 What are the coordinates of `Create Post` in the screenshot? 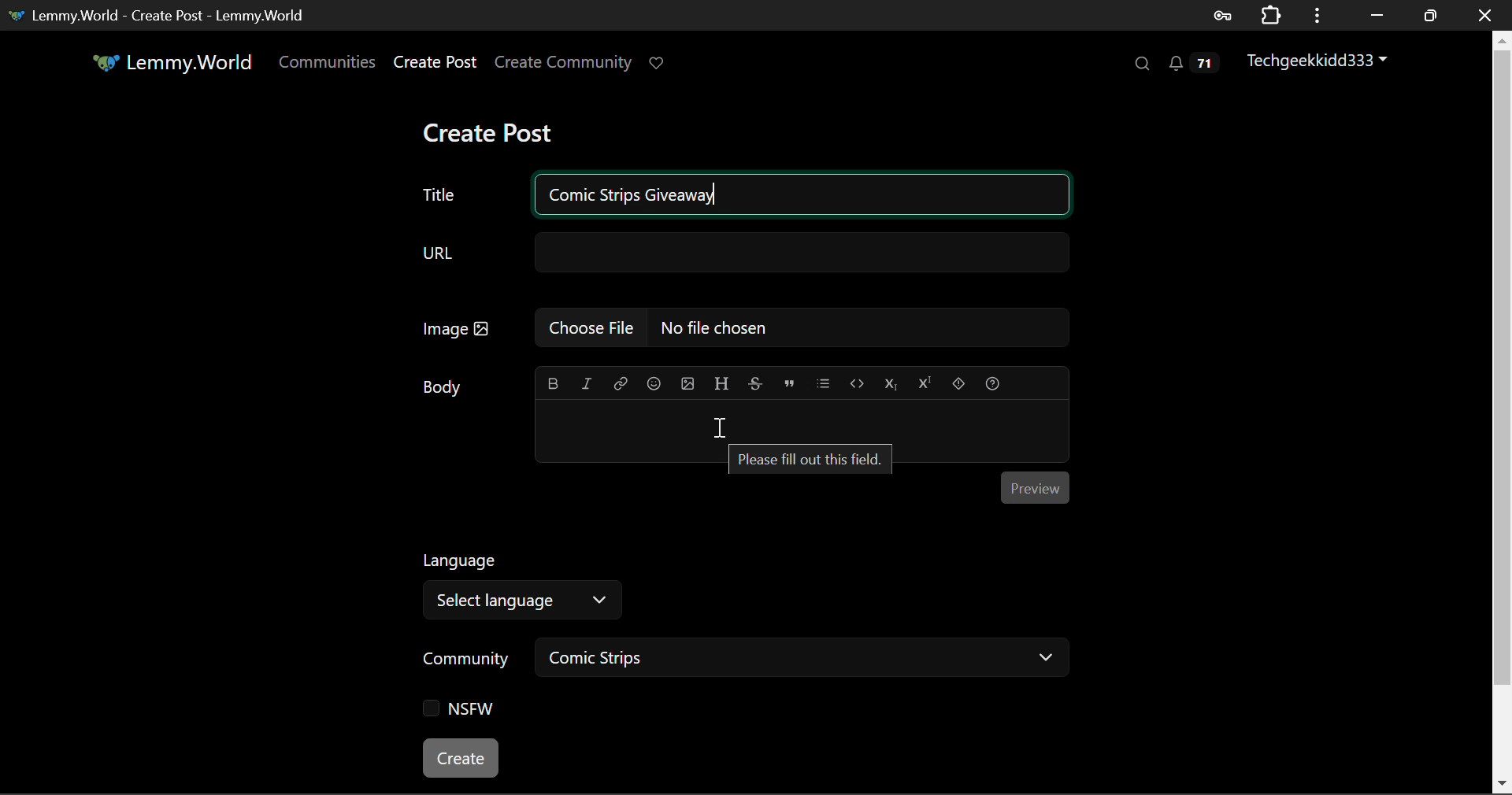 It's located at (491, 128).